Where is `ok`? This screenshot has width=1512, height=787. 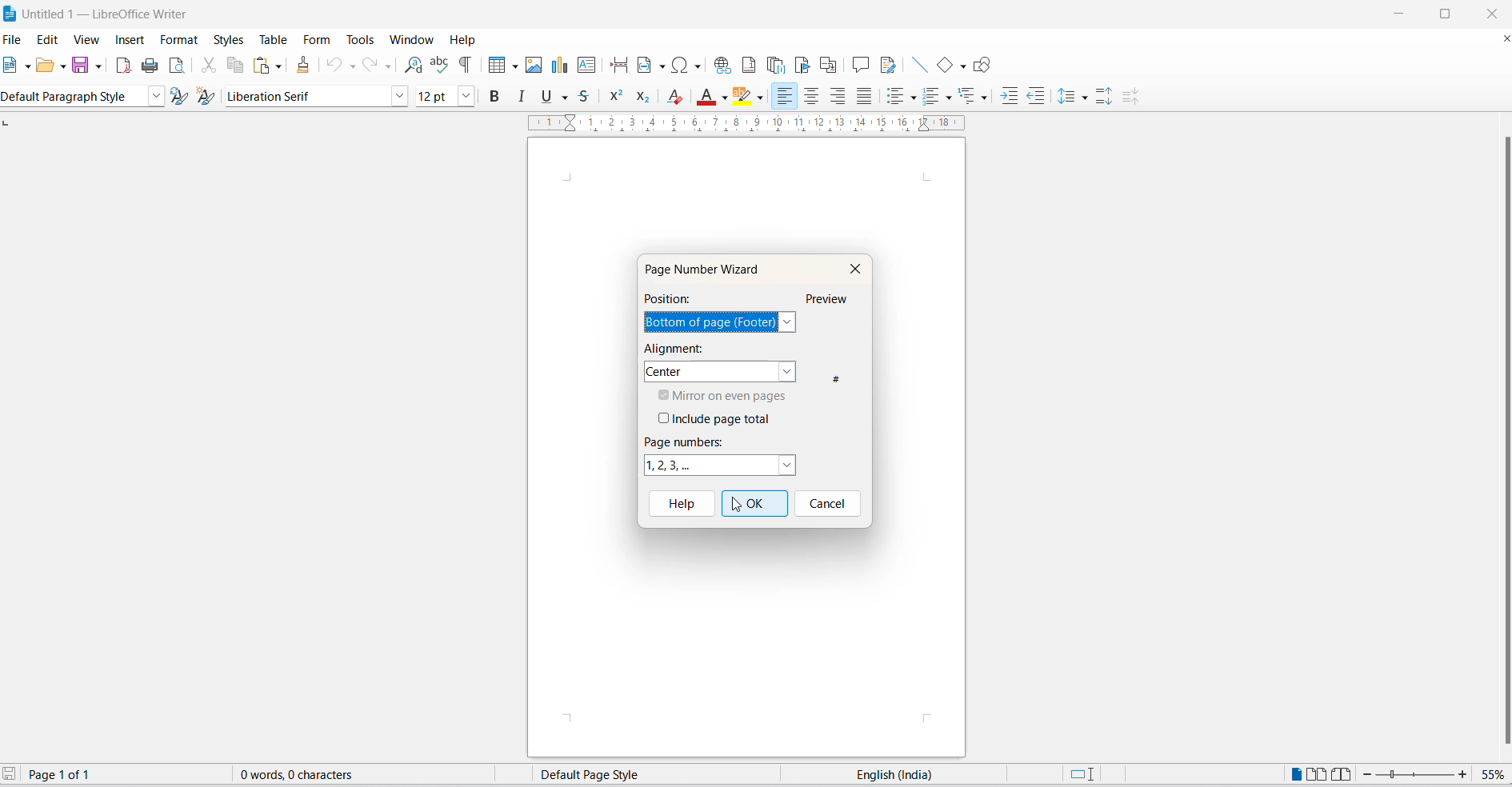
ok is located at coordinates (753, 505).